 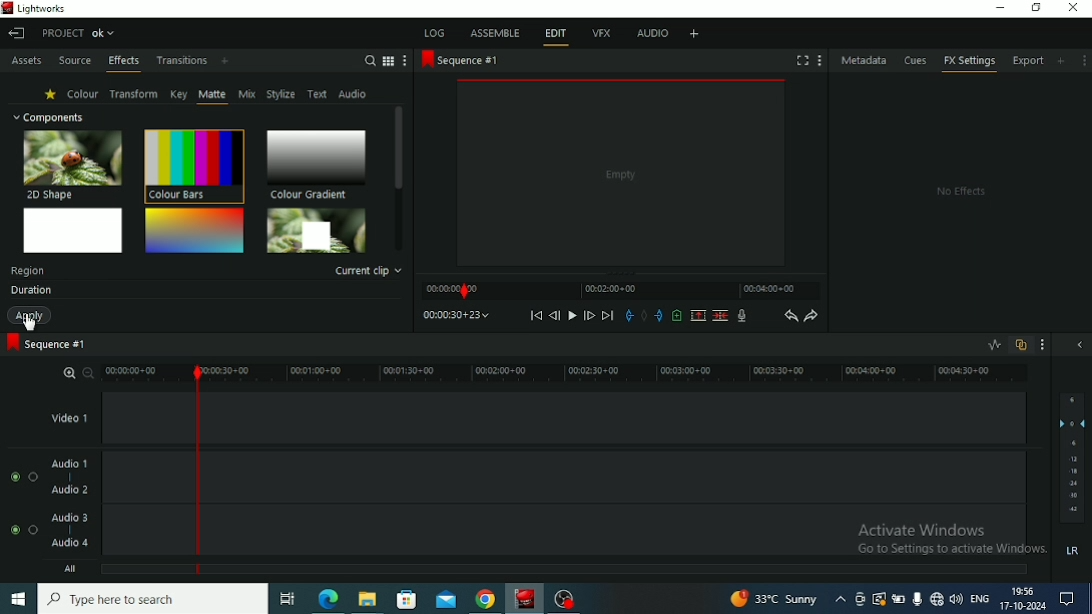 I want to click on More, so click(x=406, y=61).